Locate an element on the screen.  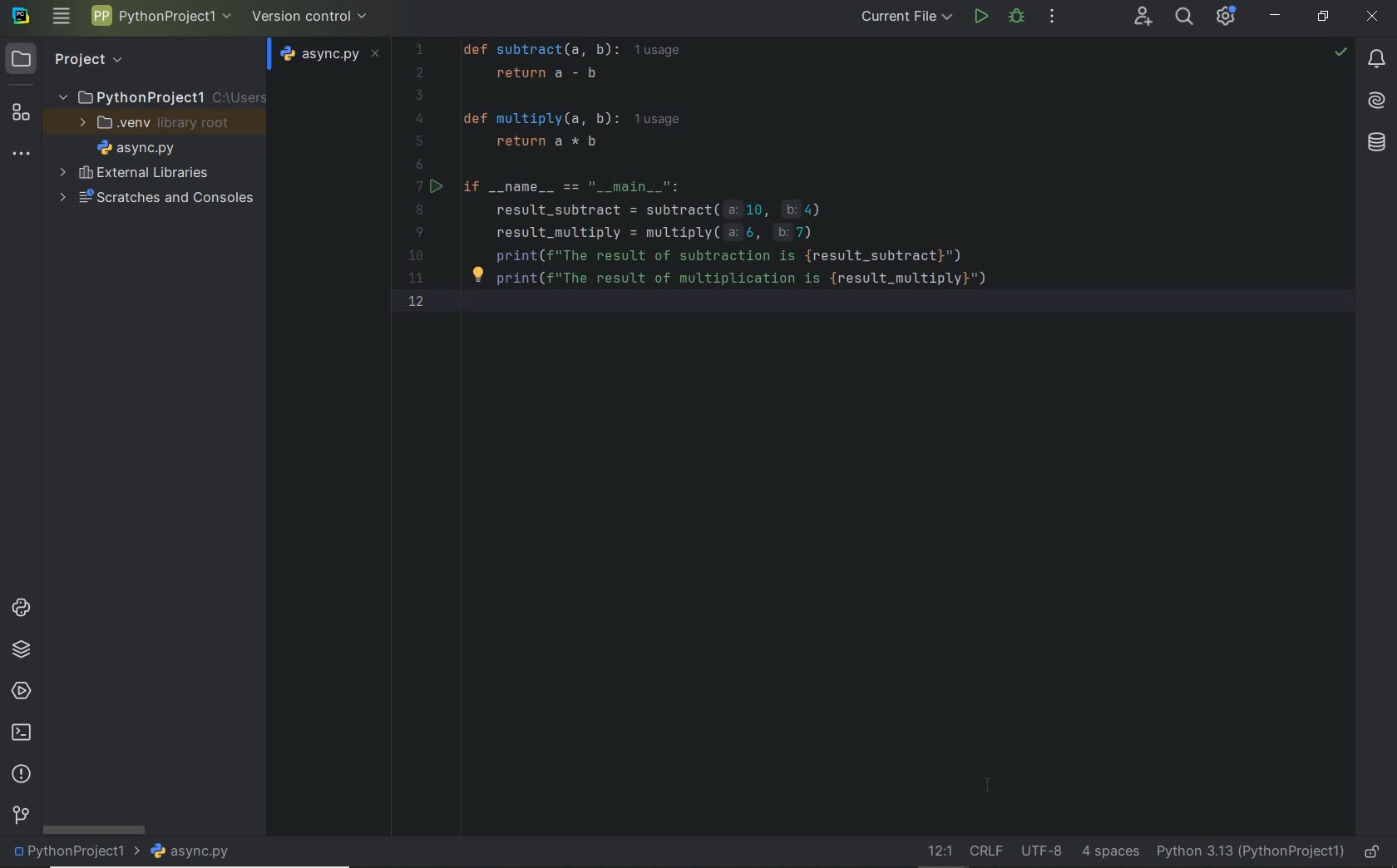
file name is located at coordinates (190, 852).